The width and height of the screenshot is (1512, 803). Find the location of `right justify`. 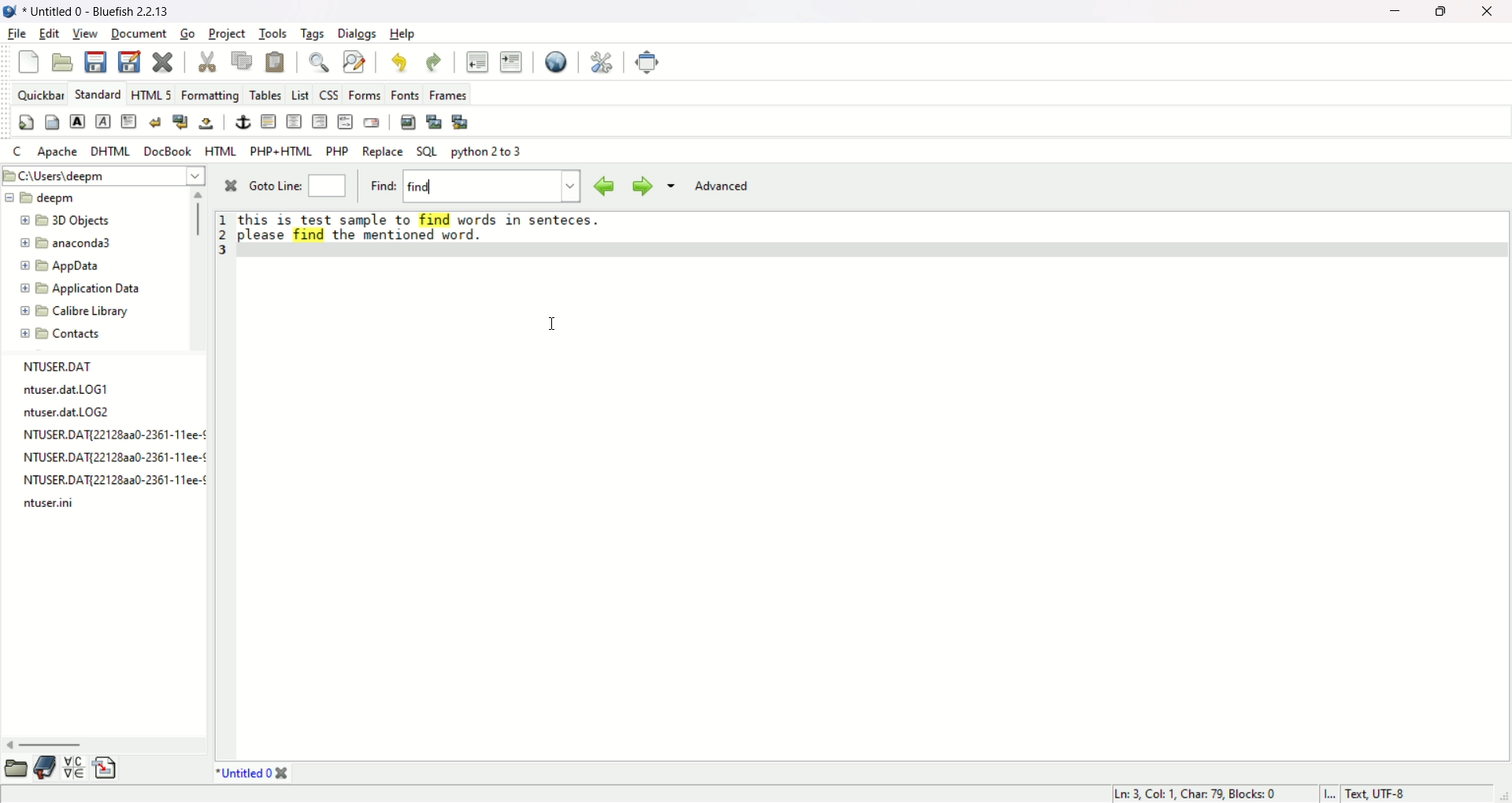

right justify is located at coordinates (318, 121).